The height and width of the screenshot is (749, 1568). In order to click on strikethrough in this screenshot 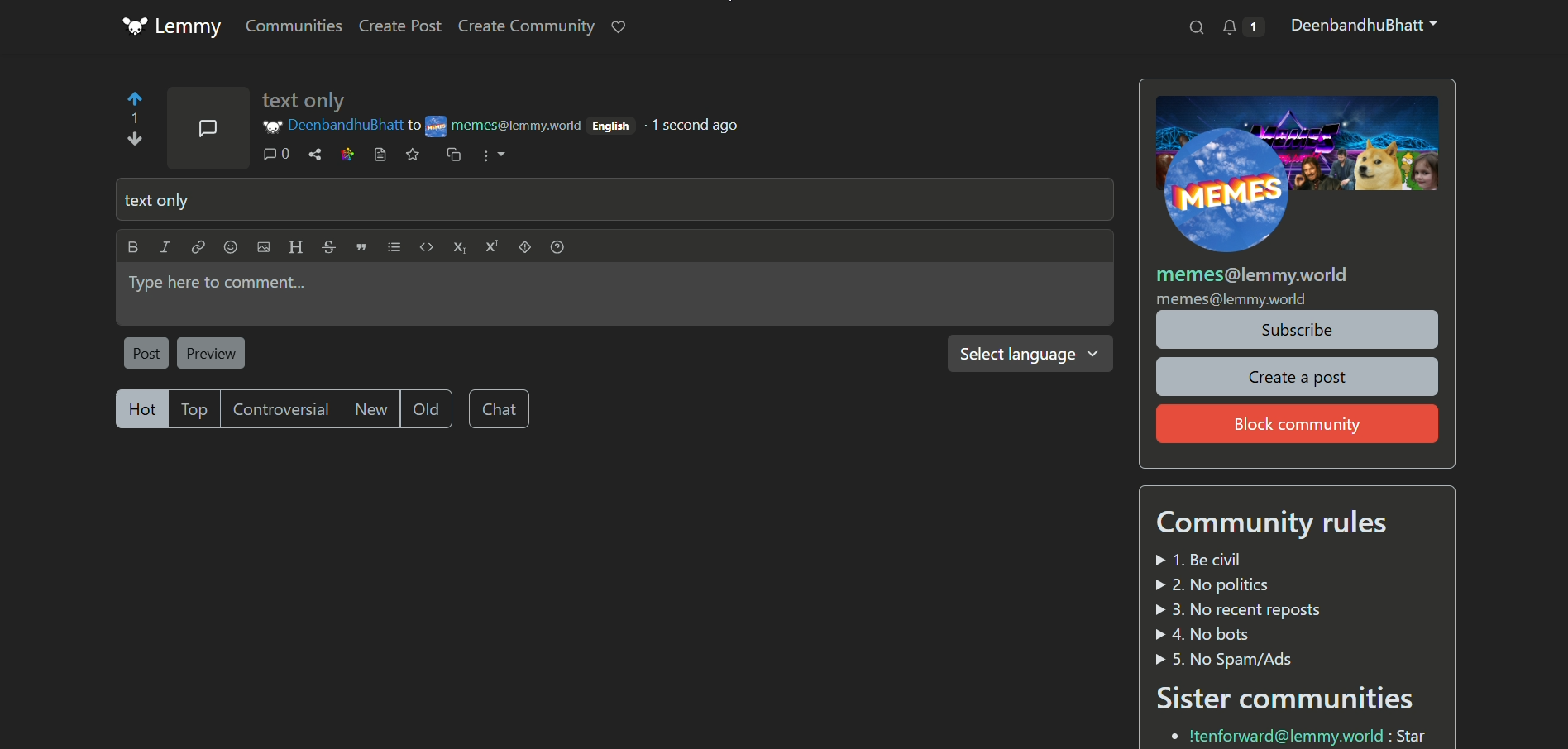, I will do `click(325, 246)`.